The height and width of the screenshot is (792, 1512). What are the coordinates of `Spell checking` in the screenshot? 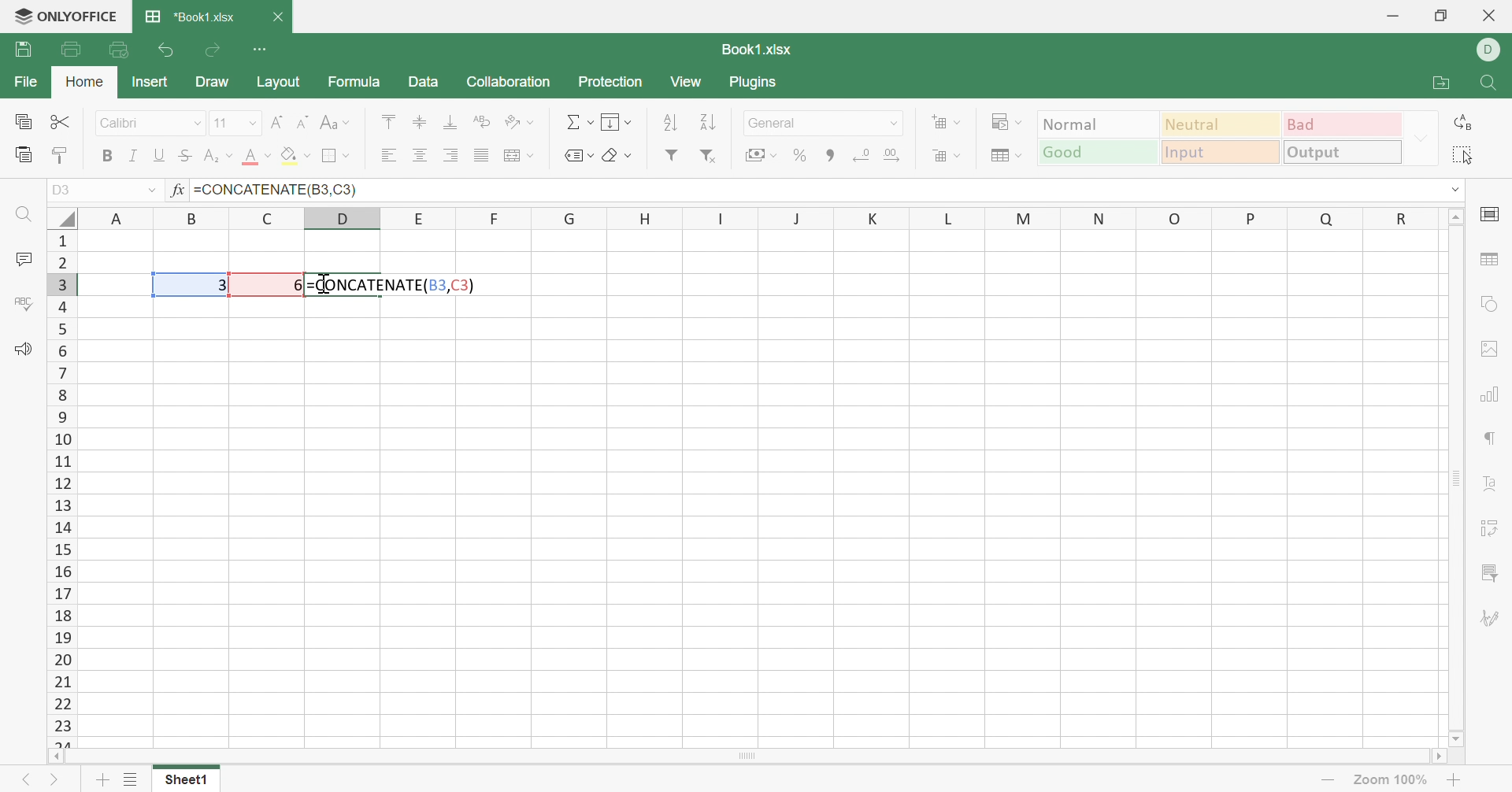 It's located at (26, 305).